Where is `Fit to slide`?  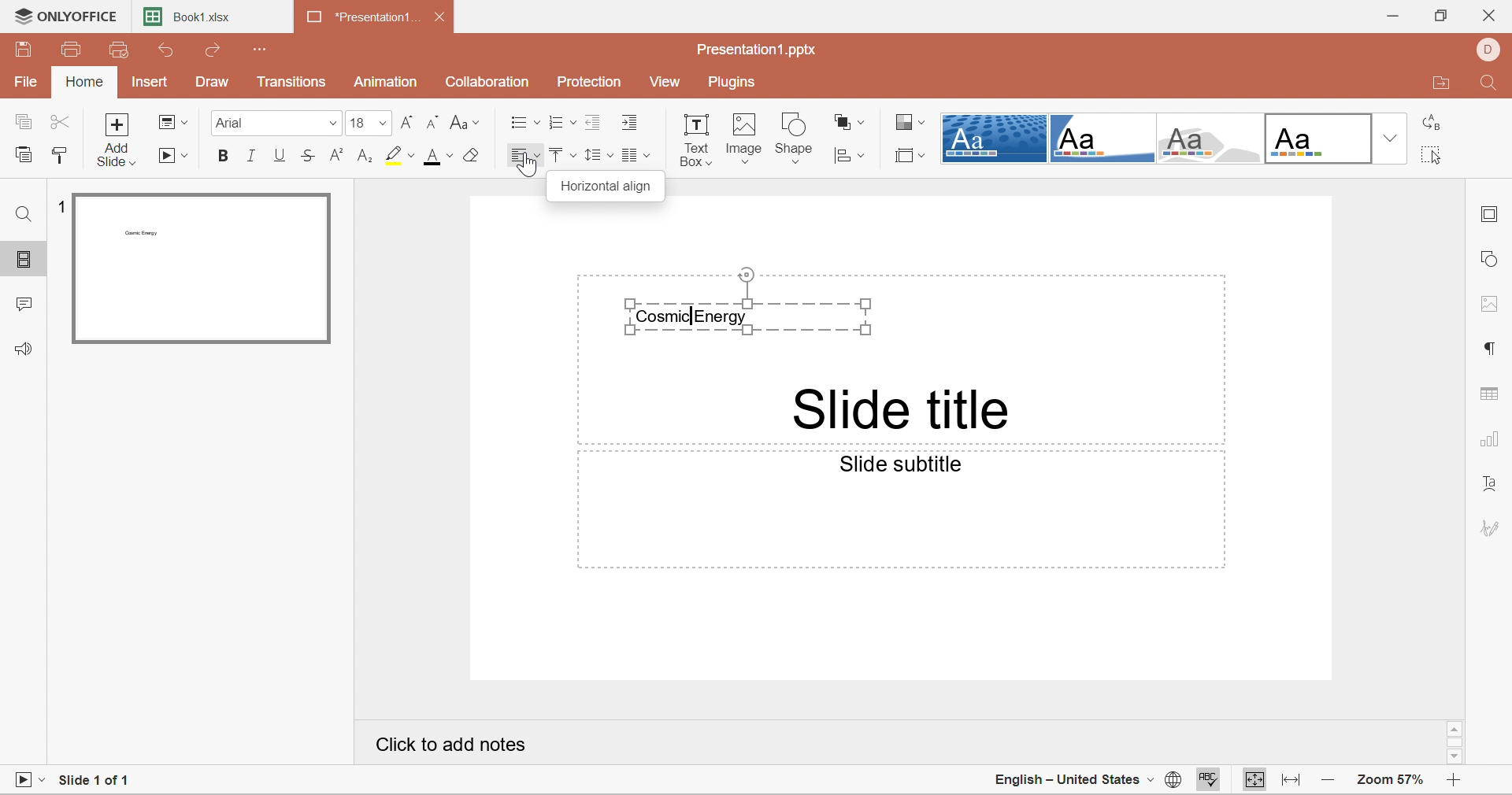 Fit to slide is located at coordinates (1251, 780).